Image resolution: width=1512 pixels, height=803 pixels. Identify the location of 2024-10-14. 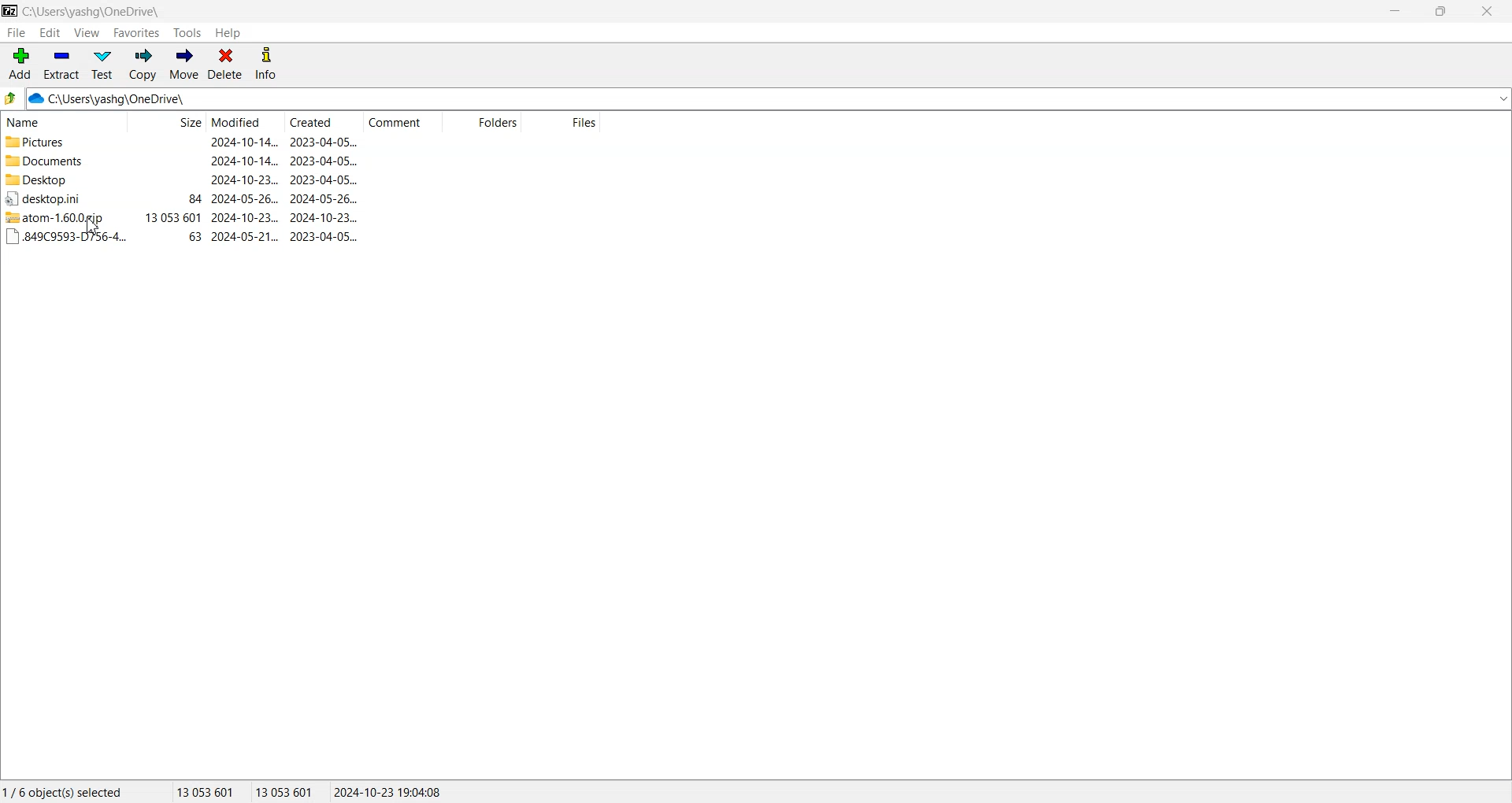
(243, 142).